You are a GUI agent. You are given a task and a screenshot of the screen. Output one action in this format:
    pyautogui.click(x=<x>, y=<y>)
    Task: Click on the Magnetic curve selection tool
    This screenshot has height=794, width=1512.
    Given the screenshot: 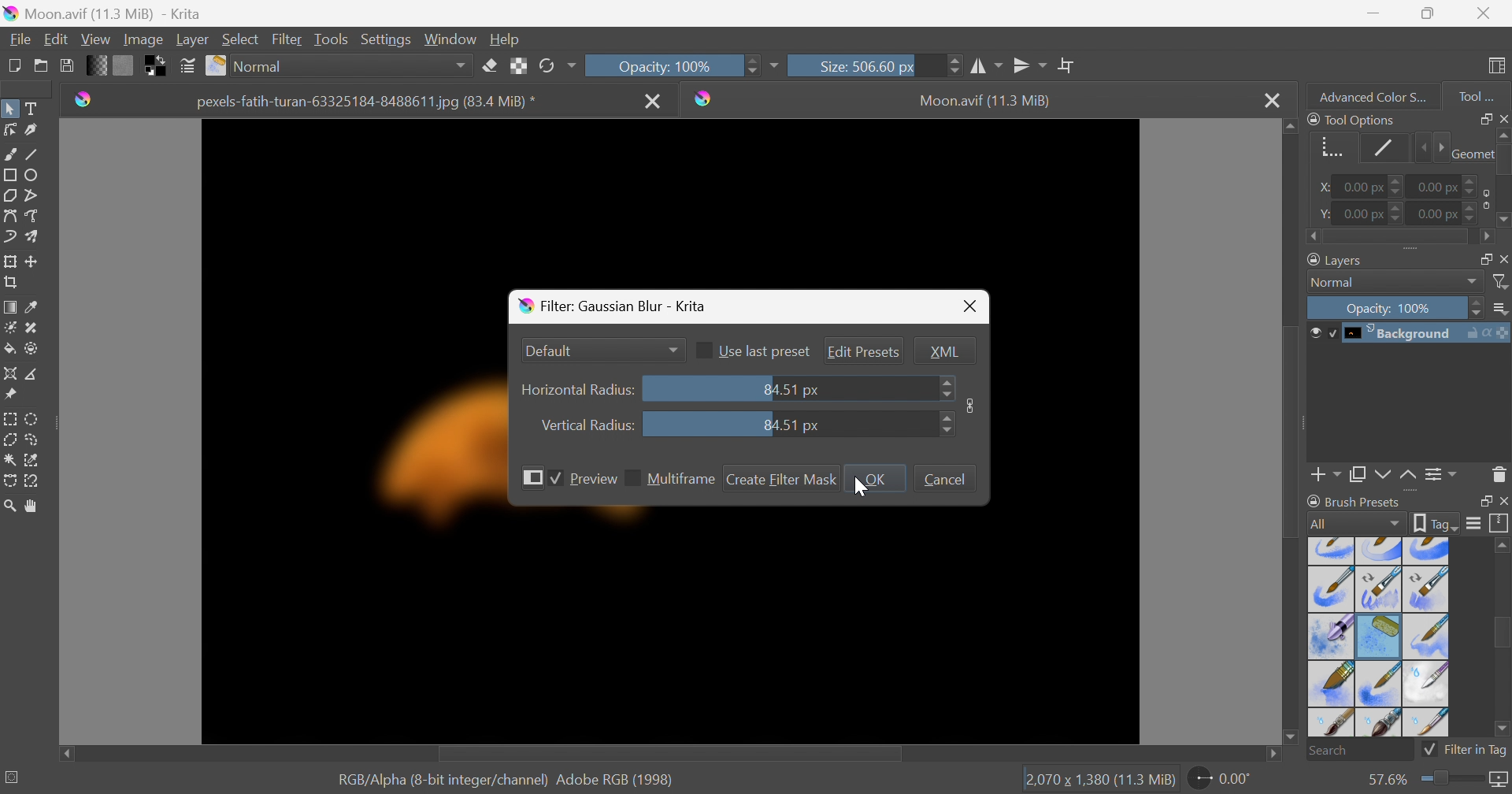 What is the action you would take?
    pyautogui.click(x=31, y=482)
    